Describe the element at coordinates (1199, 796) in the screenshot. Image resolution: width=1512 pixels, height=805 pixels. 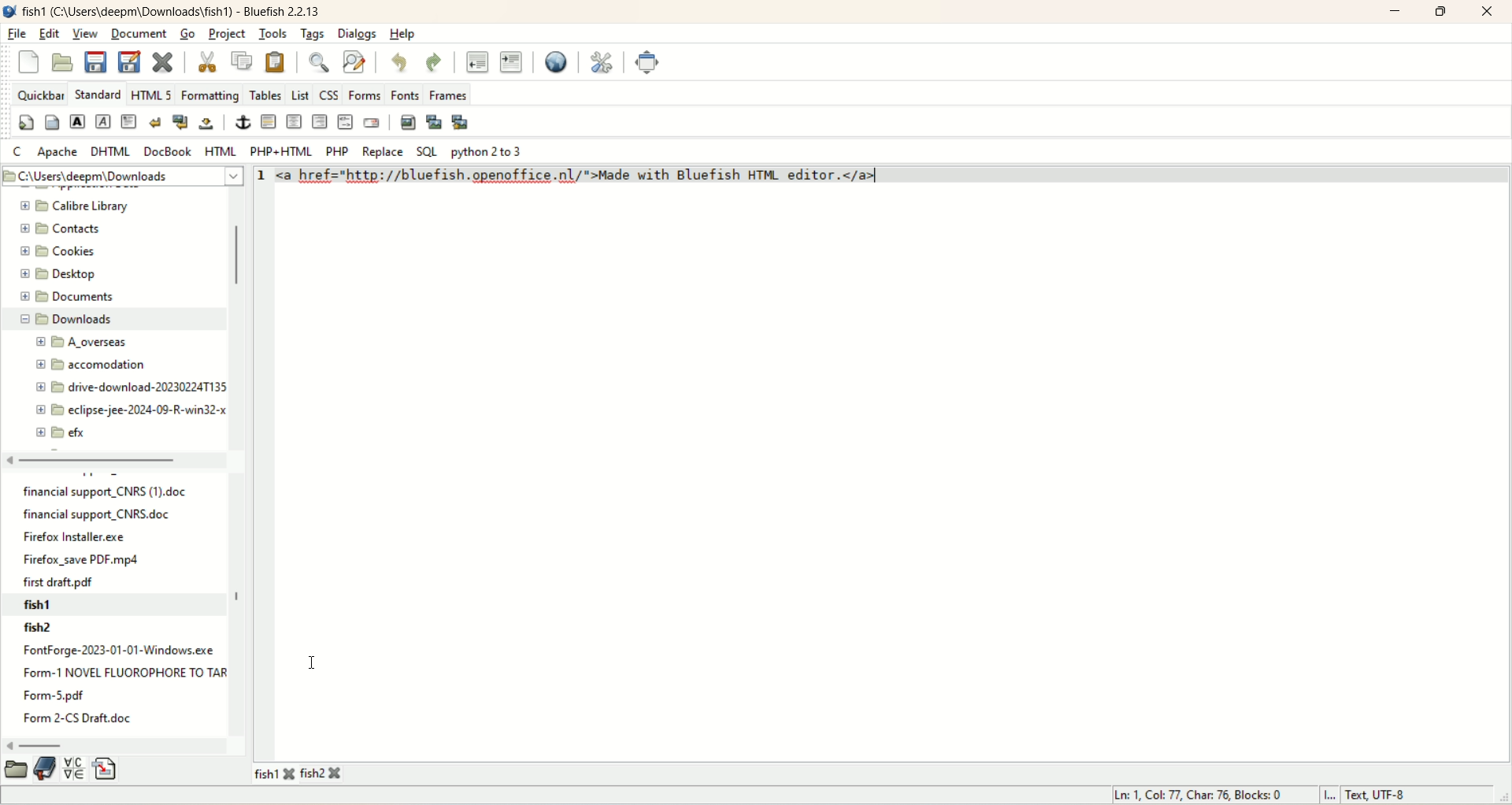
I see `ln, col, char, blocks` at that location.